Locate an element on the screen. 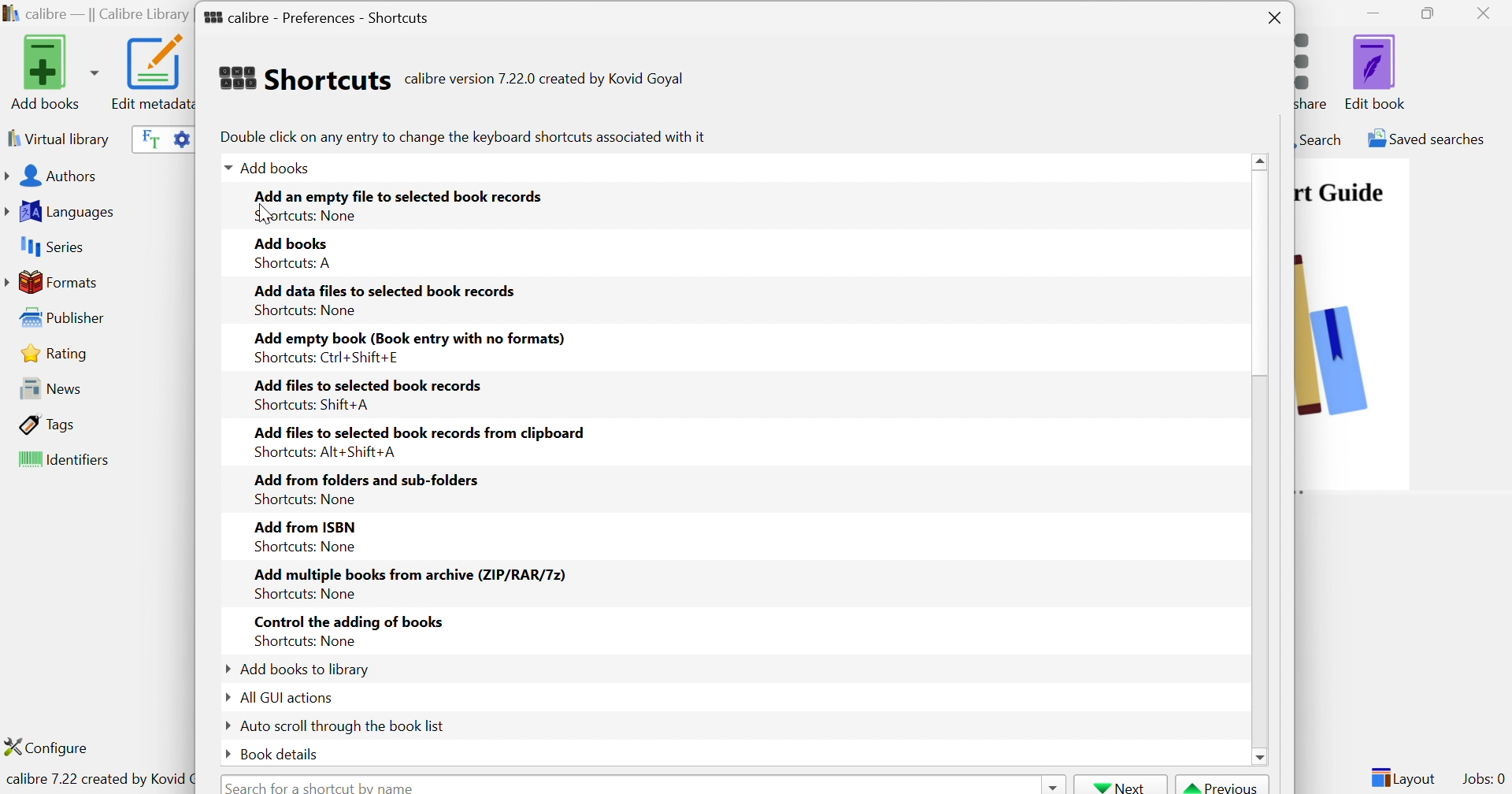  Shortcuts: None is located at coordinates (303, 499).